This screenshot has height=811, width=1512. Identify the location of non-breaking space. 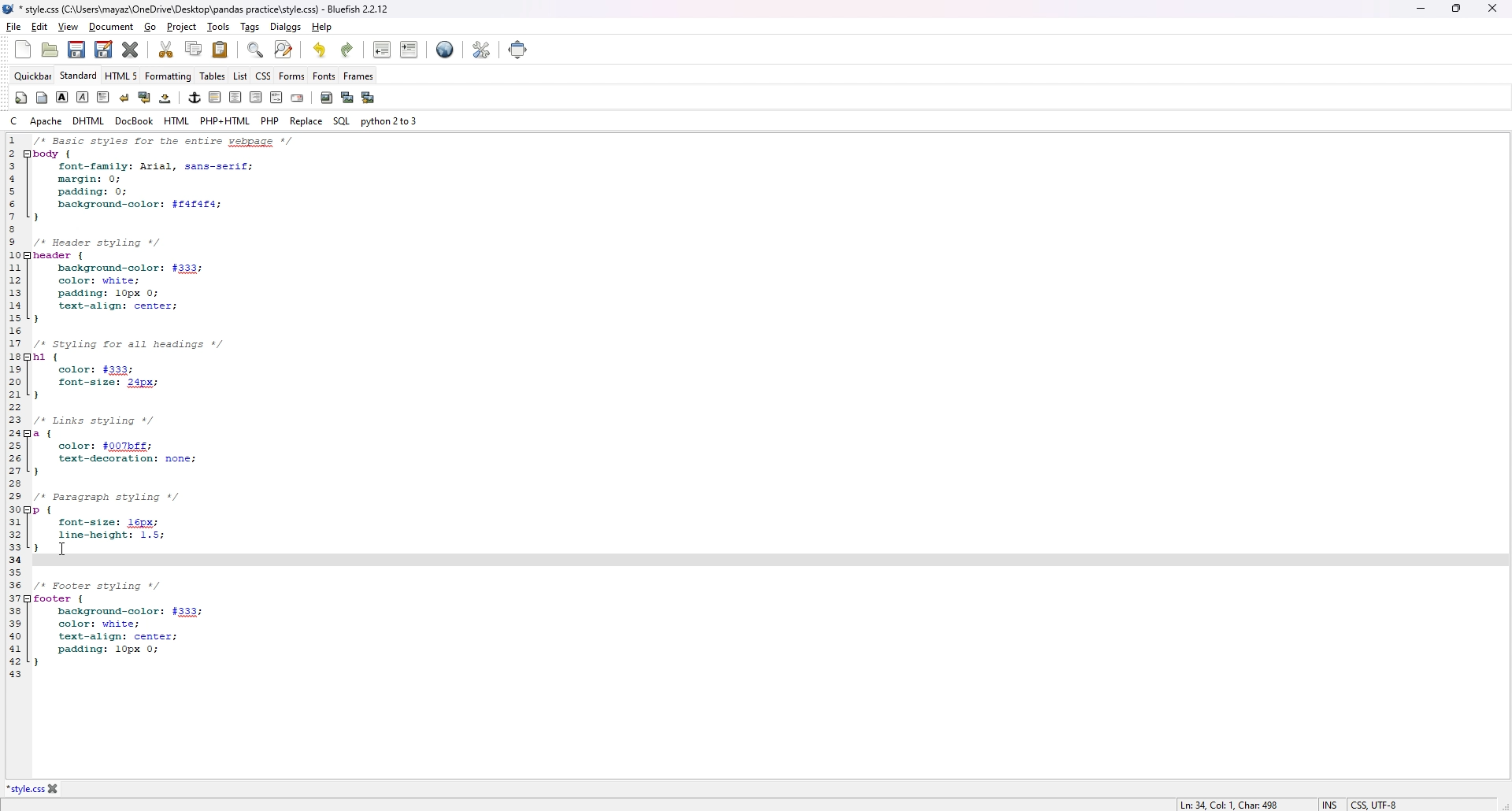
(165, 98).